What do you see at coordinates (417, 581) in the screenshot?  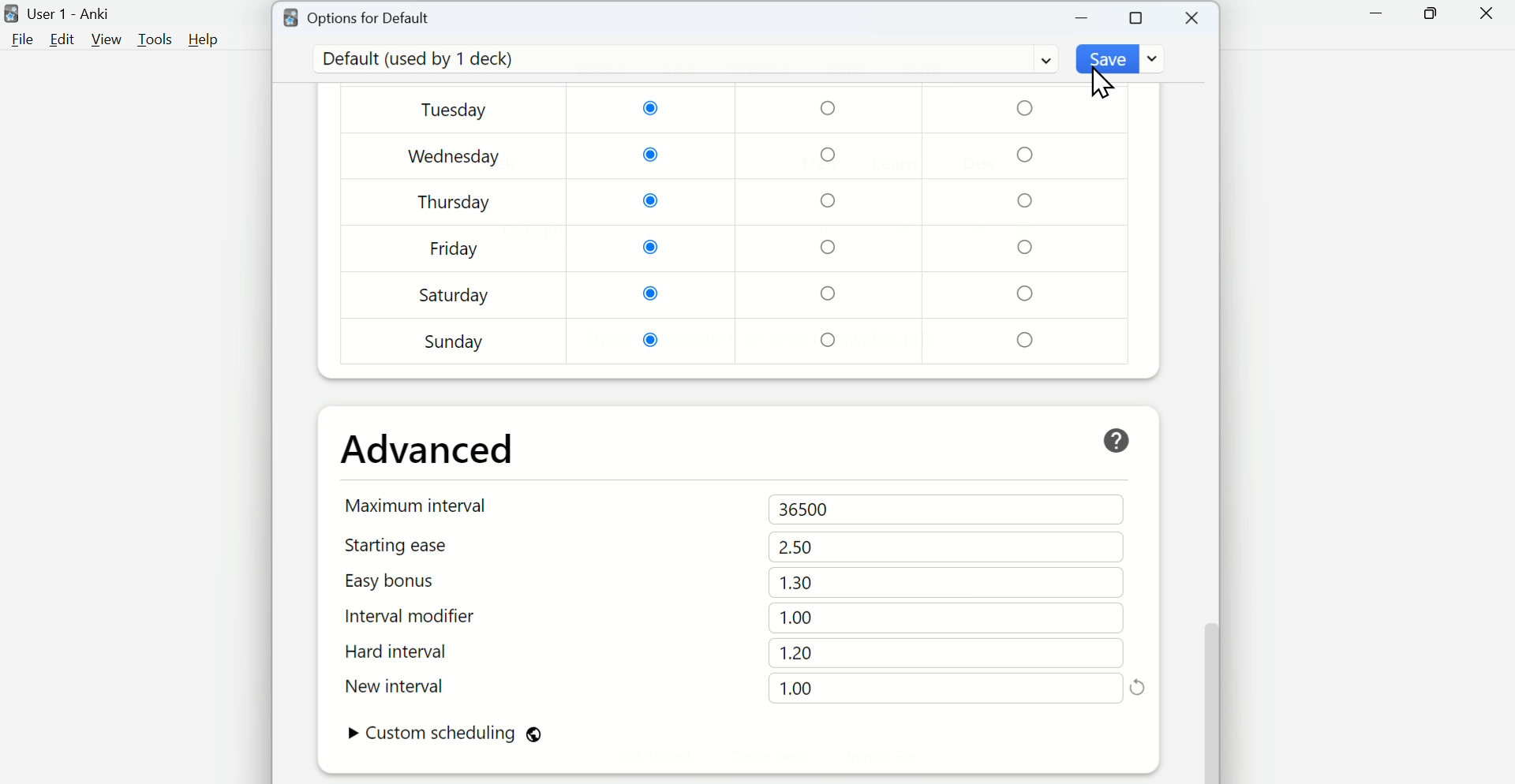 I see `Easy bonus` at bounding box center [417, 581].